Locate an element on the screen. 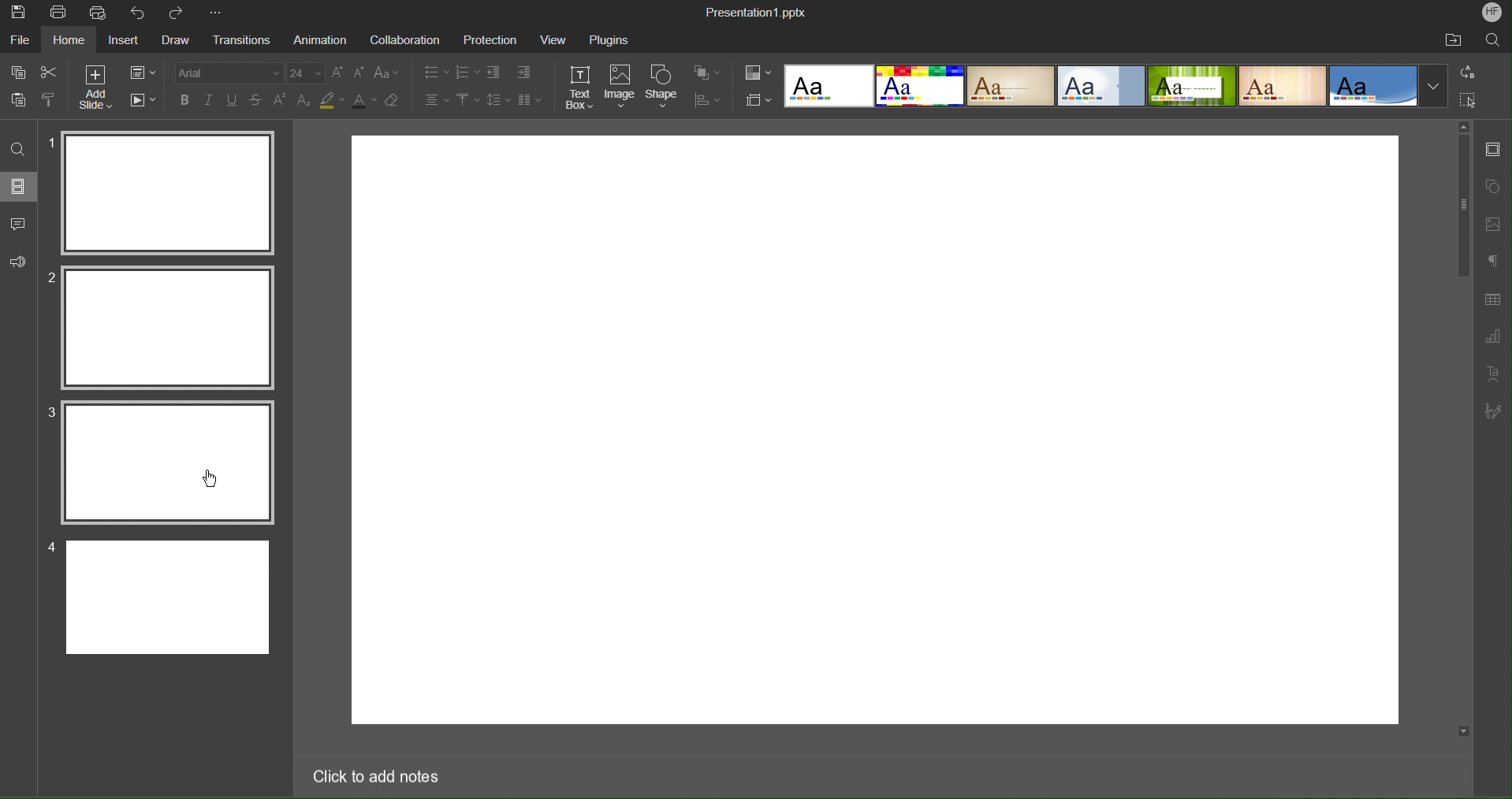 The height and width of the screenshot is (799, 1512). subscript is located at coordinates (306, 101).